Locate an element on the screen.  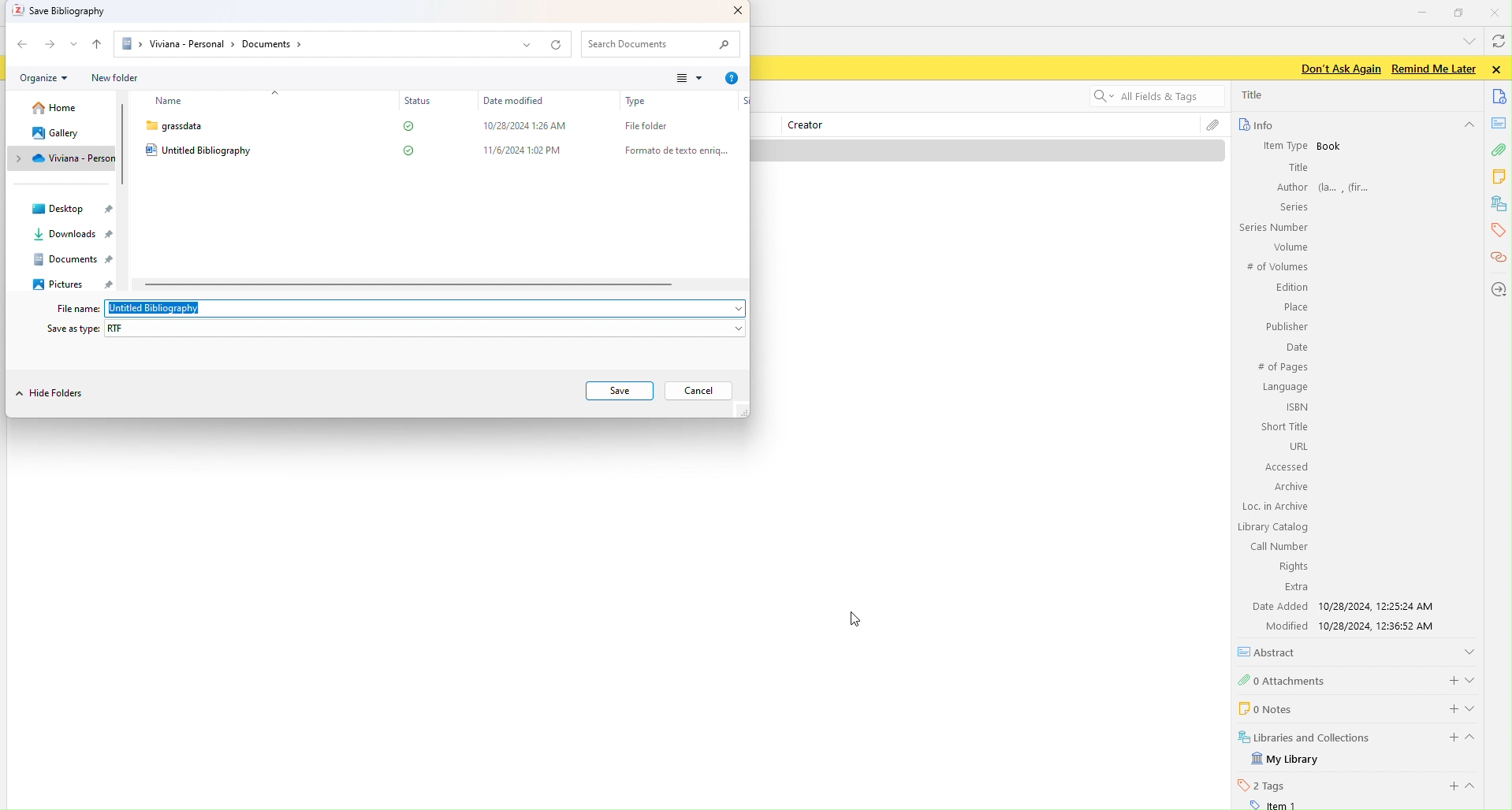
Date is located at coordinates (1295, 348).